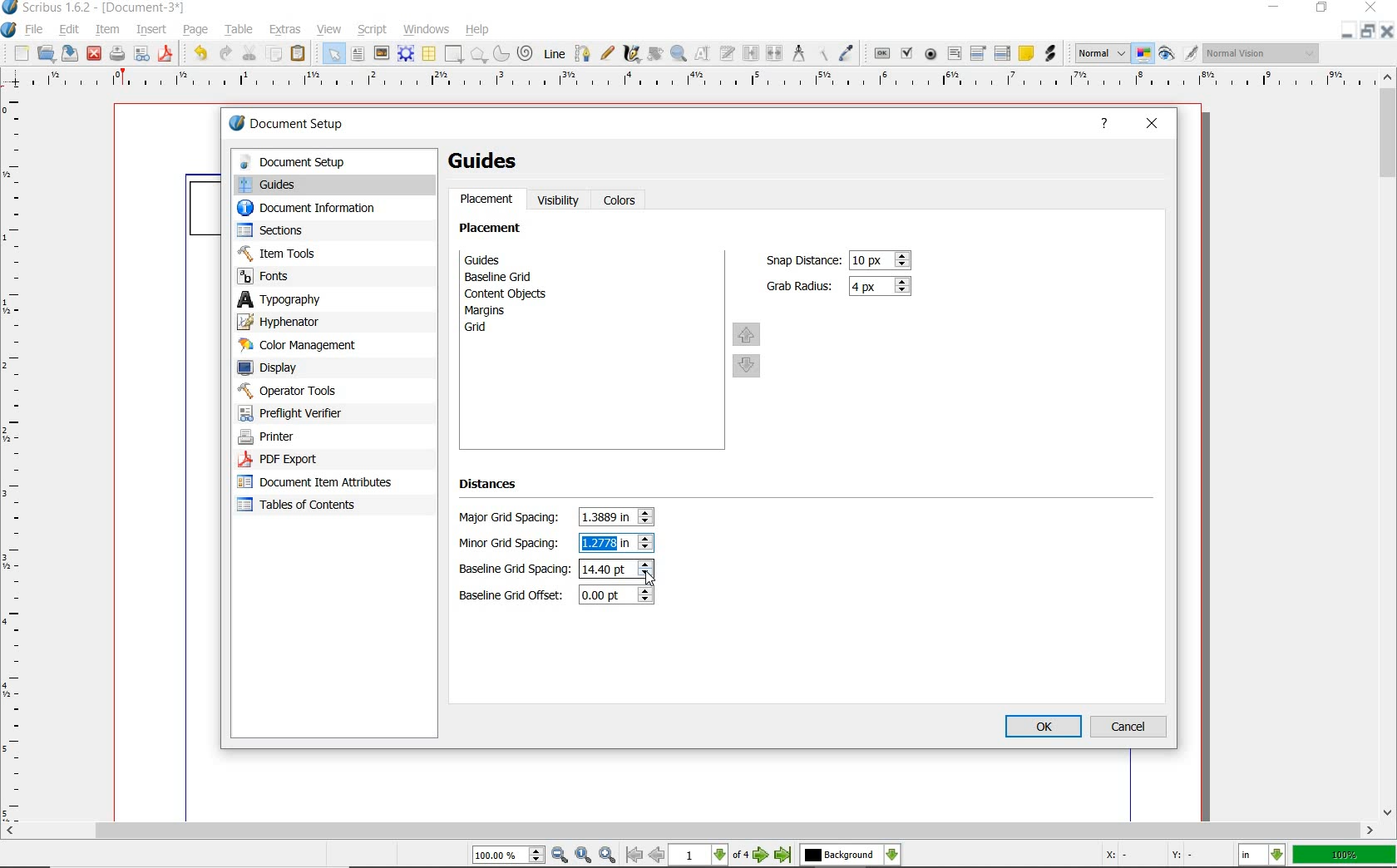  What do you see at coordinates (605, 542) in the screenshot?
I see `minor grid spacing` at bounding box center [605, 542].